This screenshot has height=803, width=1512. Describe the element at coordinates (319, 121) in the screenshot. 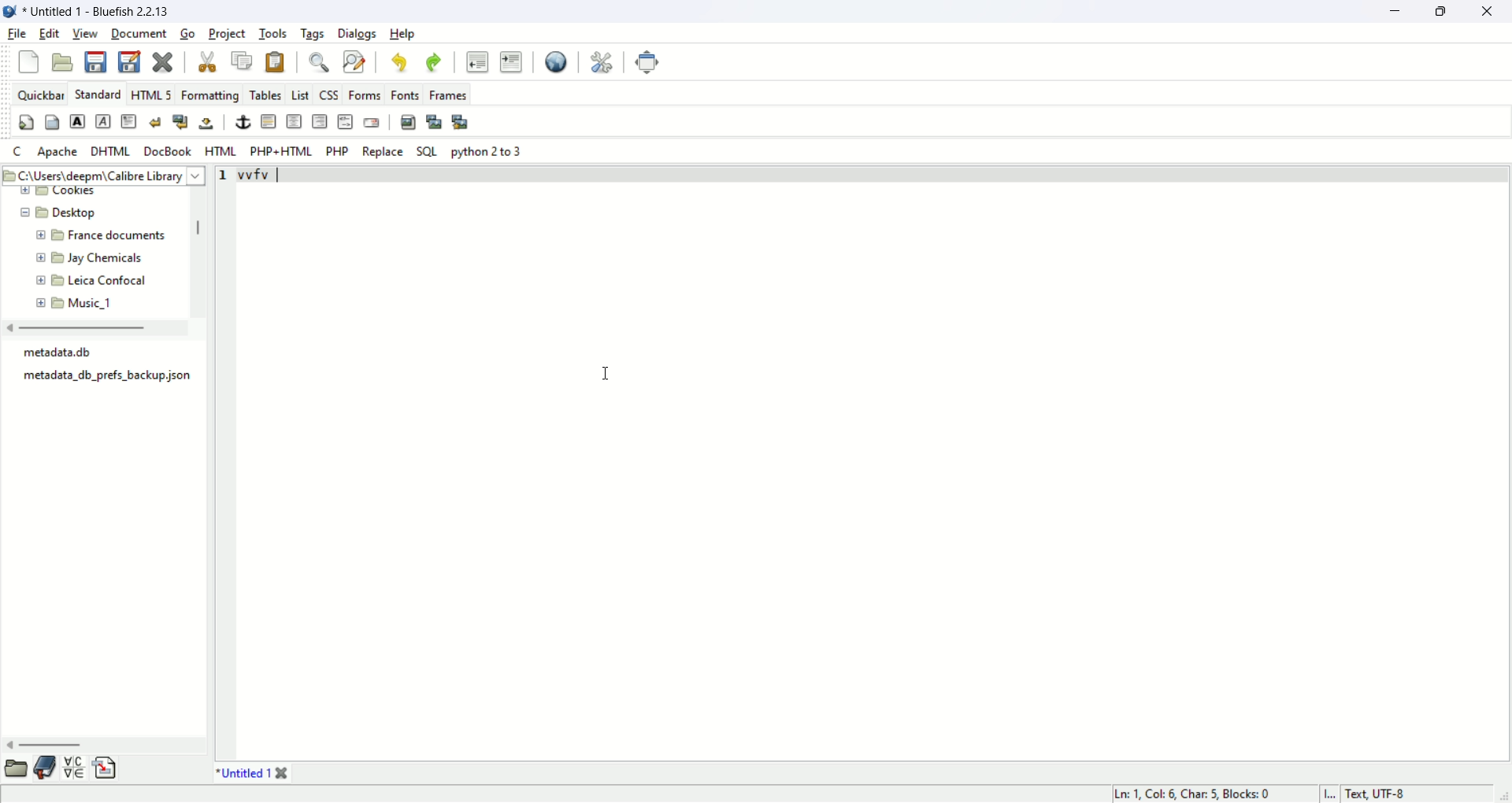

I see `right justify` at that location.